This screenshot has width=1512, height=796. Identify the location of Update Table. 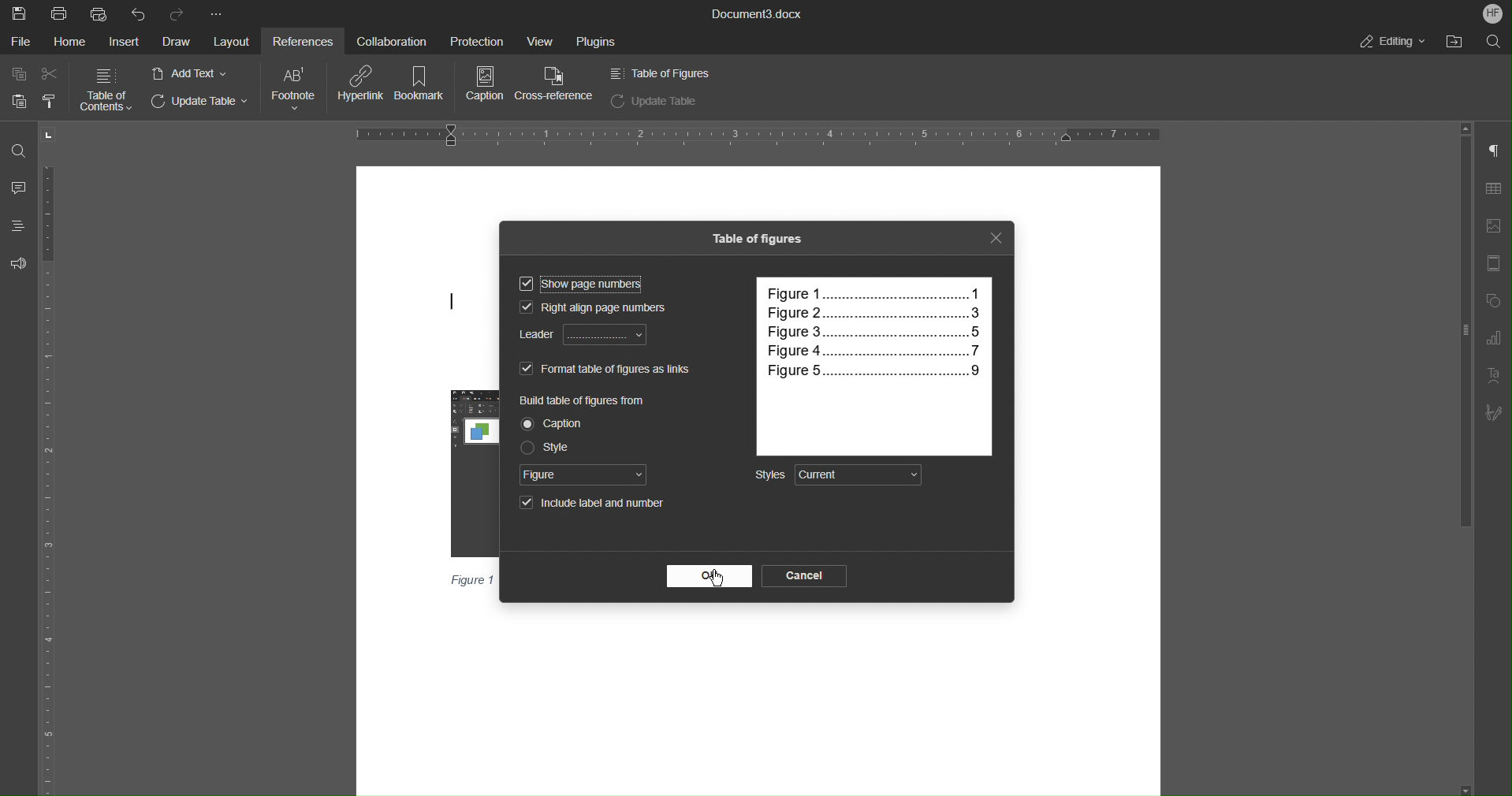
(655, 101).